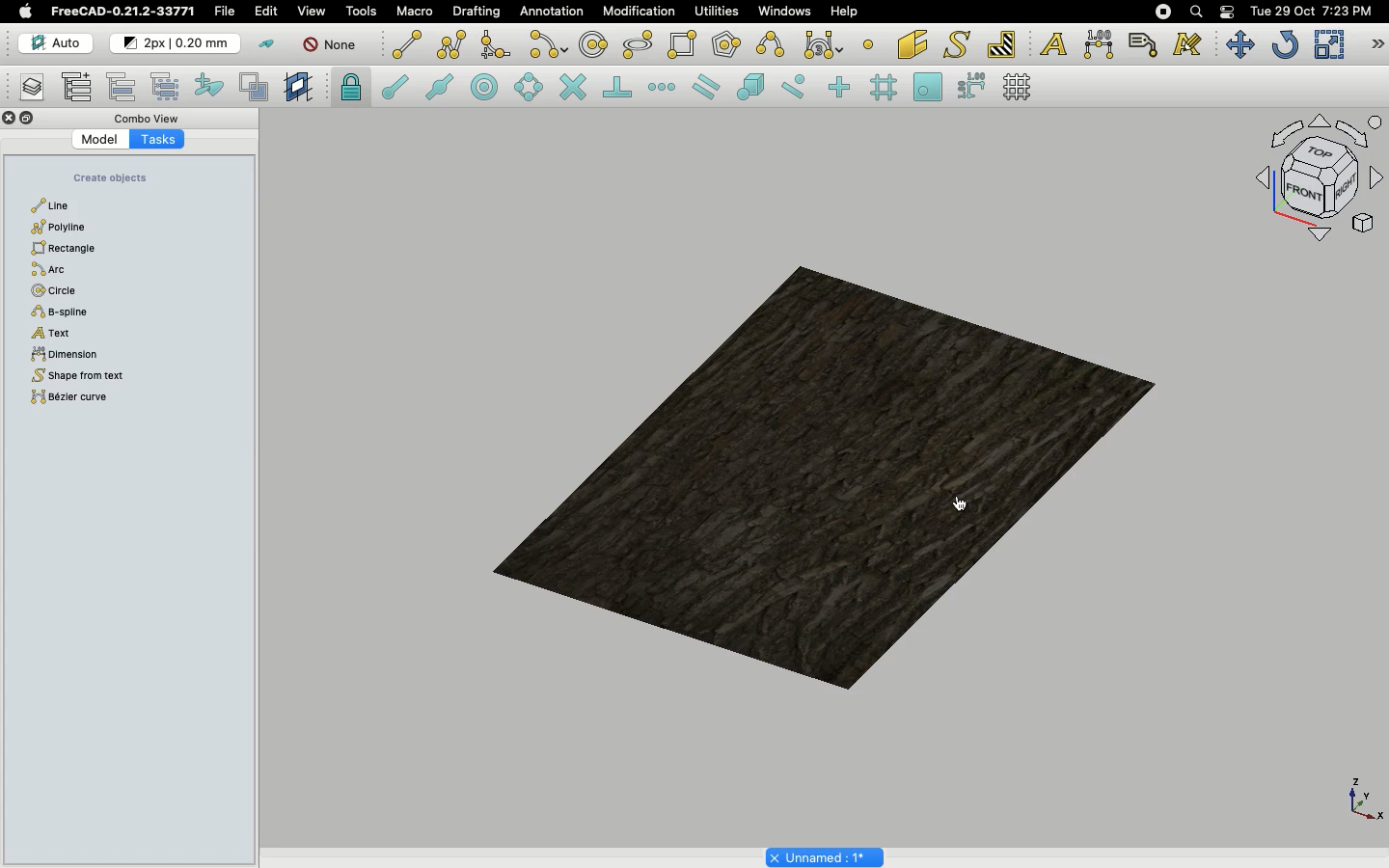  I want to click on Click, so click(966, 506).